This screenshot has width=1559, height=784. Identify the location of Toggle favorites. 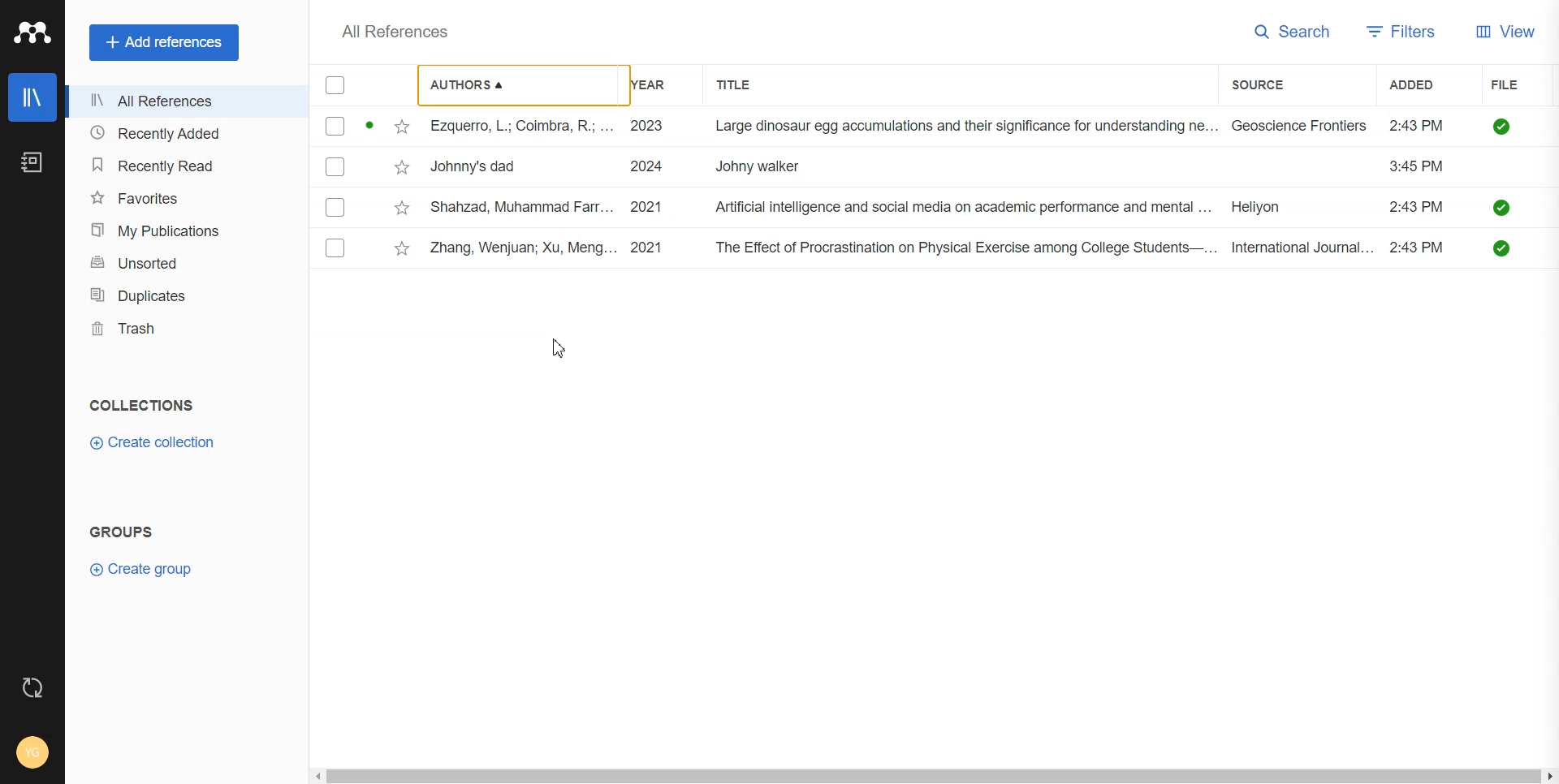
(402, 127).